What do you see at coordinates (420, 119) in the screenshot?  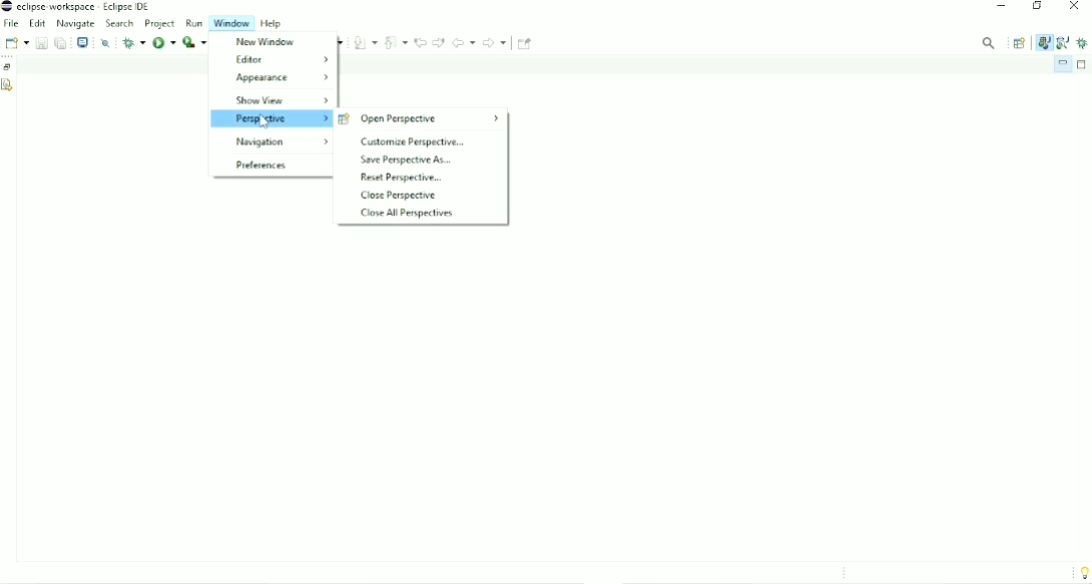 I see `open perspective` at bounding box center [420, 119].